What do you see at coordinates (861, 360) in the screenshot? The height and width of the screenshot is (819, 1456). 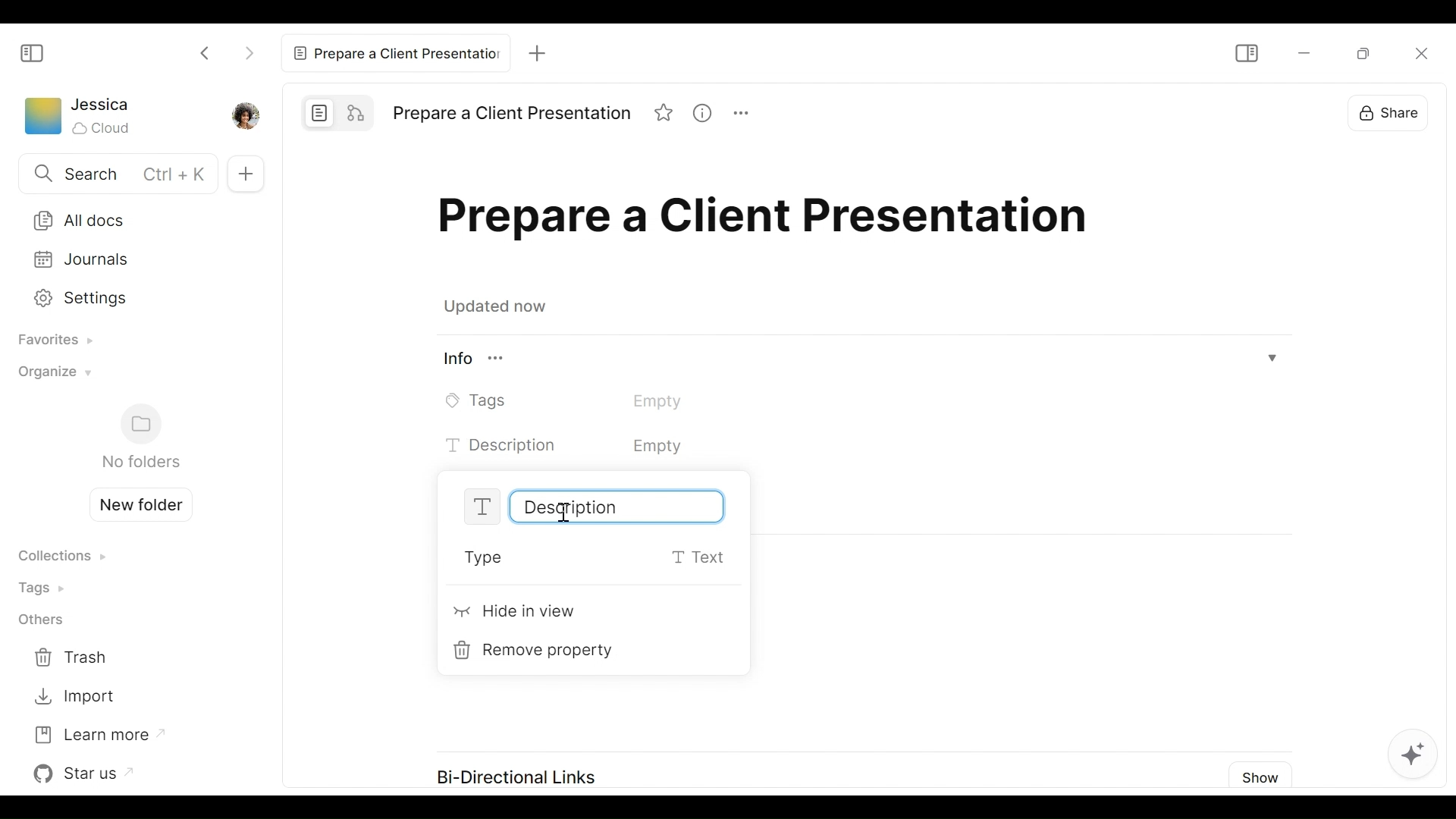 I see `View Information` at bounding box center [861, 360].